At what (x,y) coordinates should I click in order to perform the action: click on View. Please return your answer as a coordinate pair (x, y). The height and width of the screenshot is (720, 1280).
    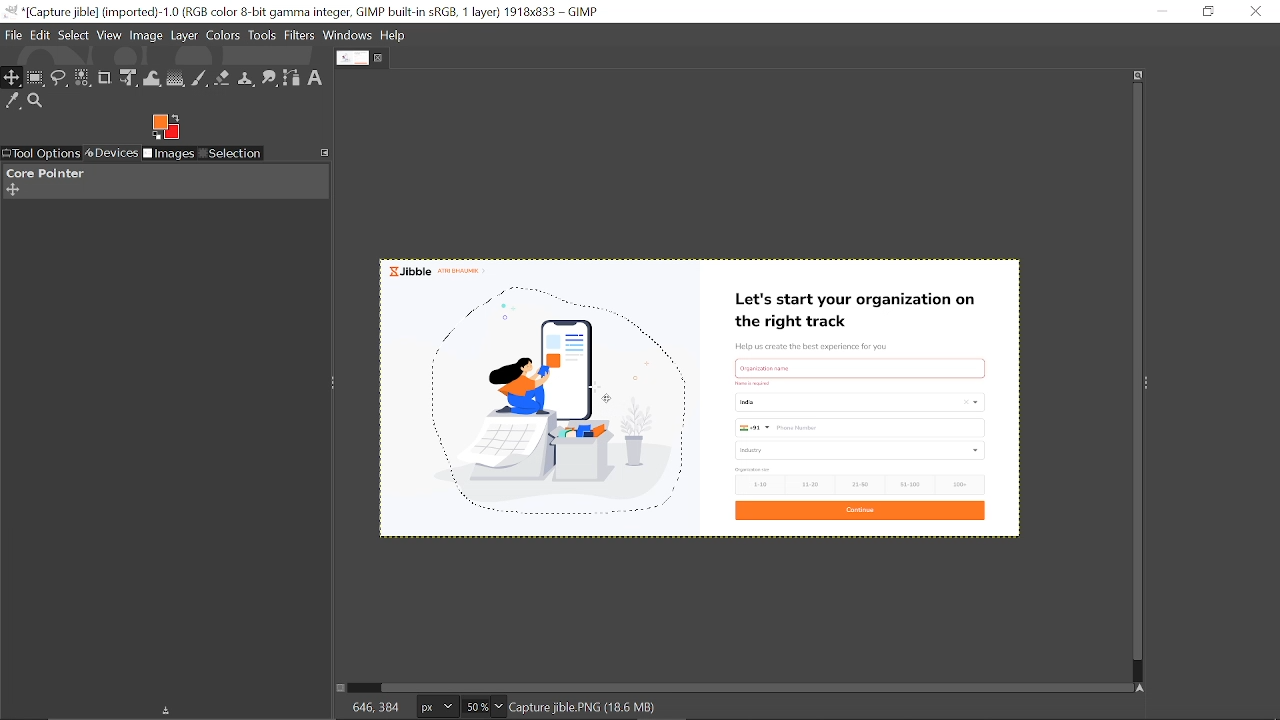
    Looking at the image, I should click on (109, 35).